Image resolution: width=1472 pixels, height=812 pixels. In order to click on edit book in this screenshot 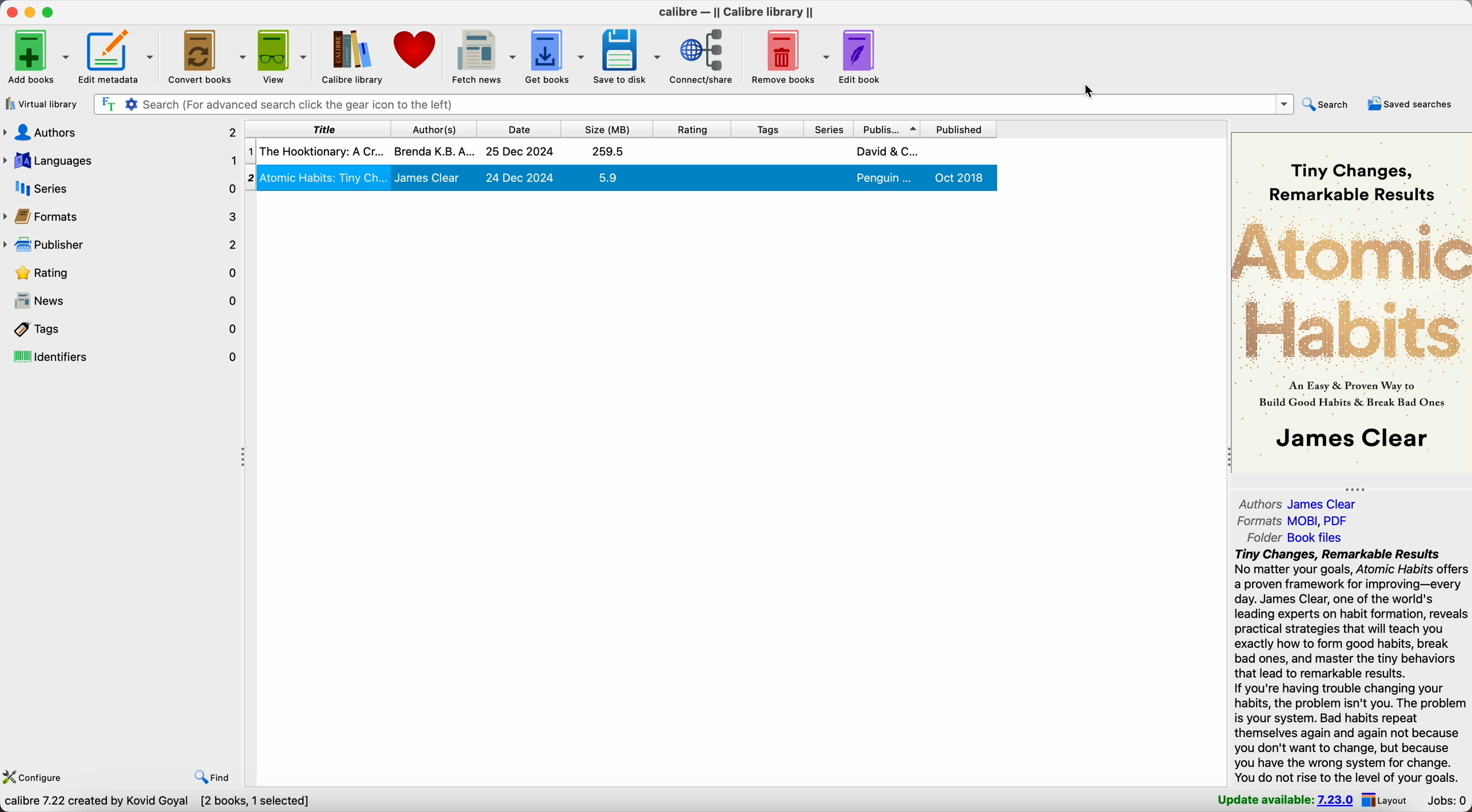, I will do `click(861, 58)`.